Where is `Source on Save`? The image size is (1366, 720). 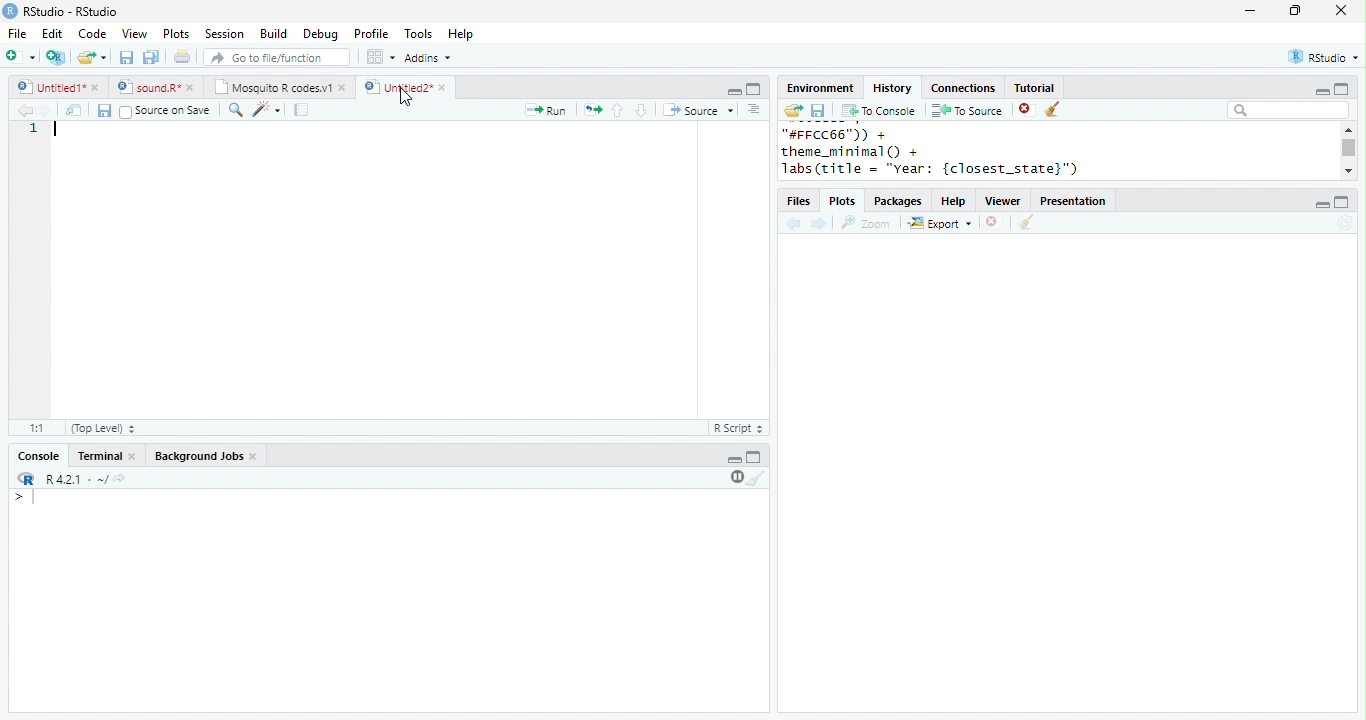
Source on Save is located at coordinates (165, 111).